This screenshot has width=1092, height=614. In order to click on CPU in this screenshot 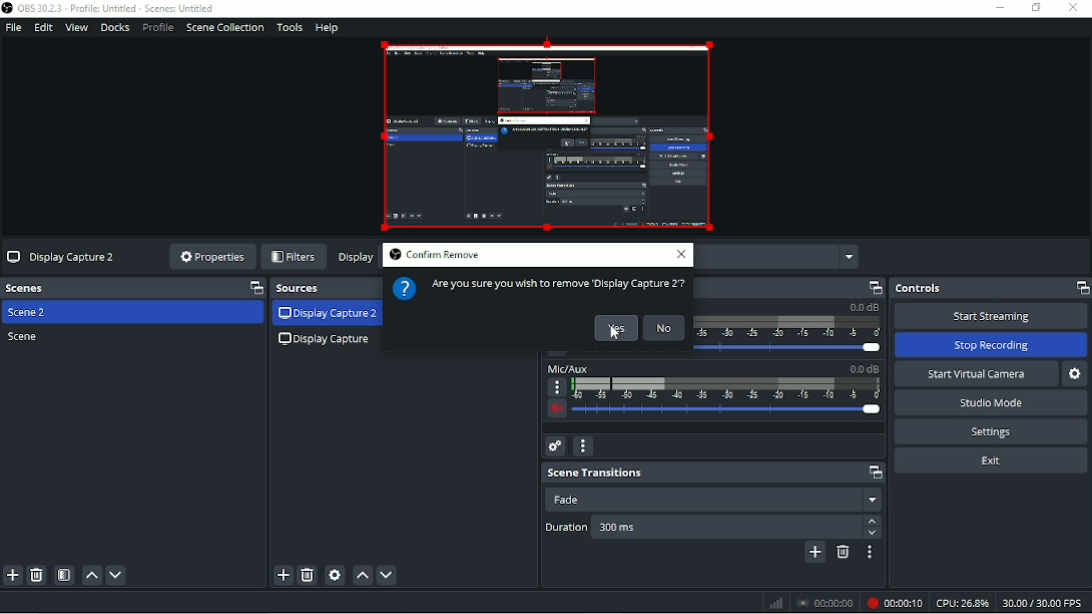, I will do `click(962, 602)`.